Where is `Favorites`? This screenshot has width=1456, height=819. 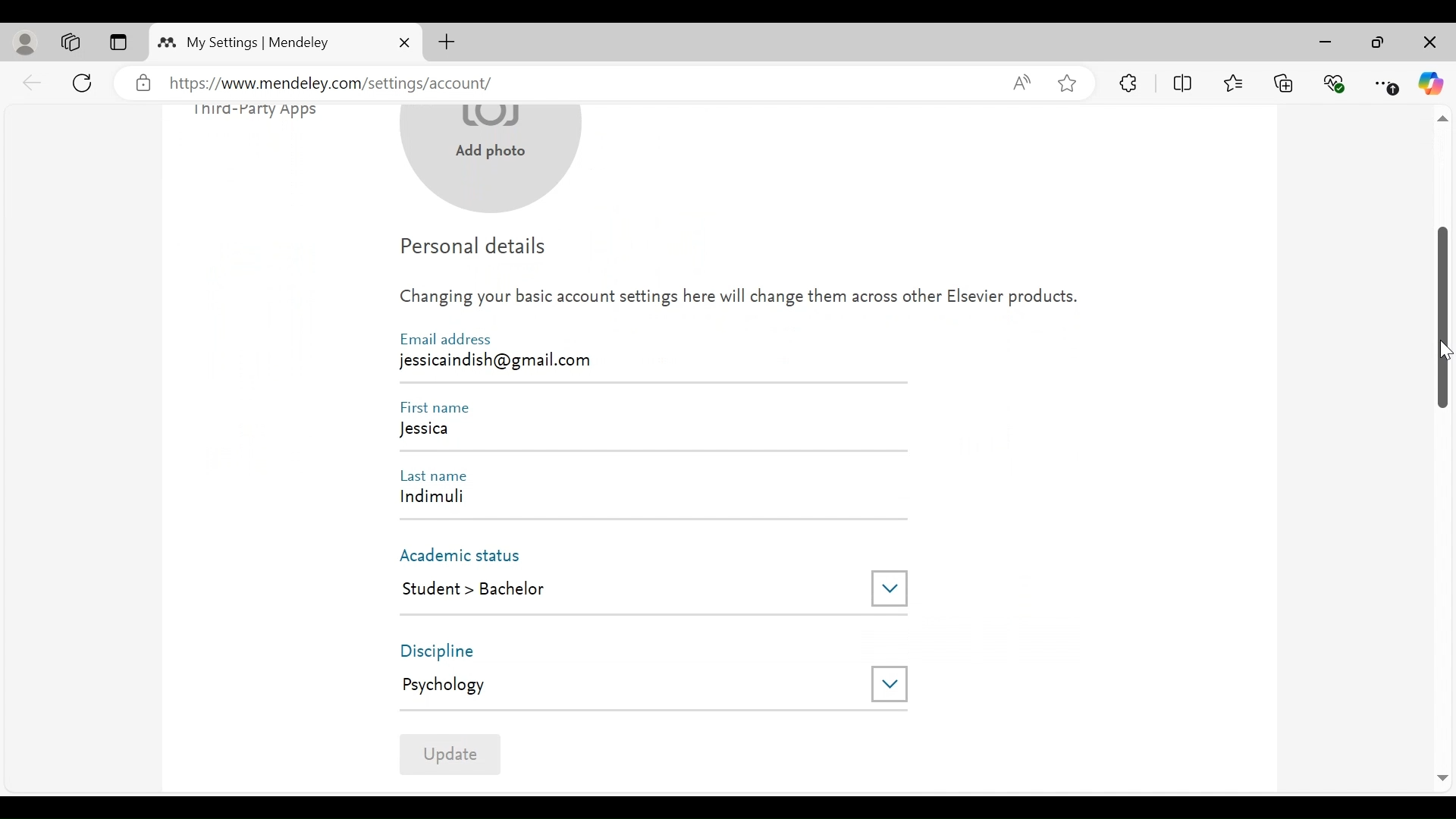 Favorites is located at coordinates (1232, 81).